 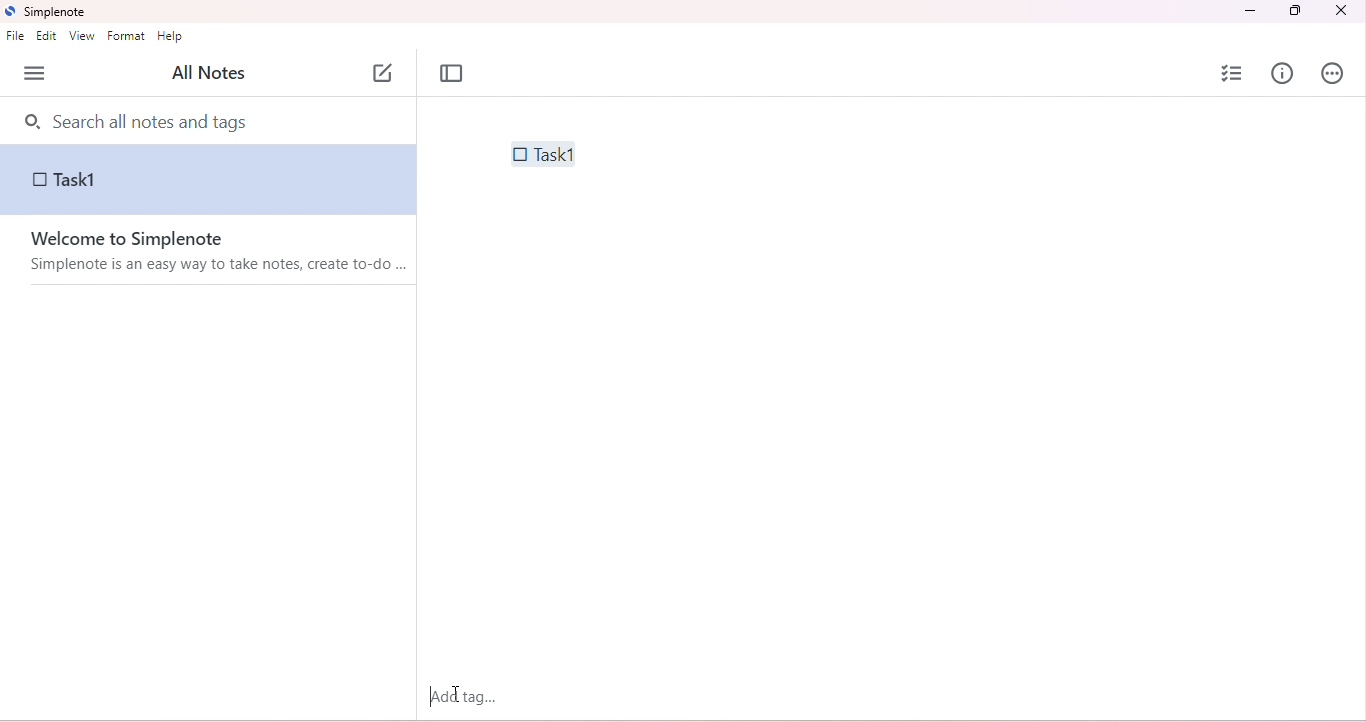 What do you see at coordinates (541, 153) in the screenshot?
I see `note text selected` at bounding box center [541, 153].